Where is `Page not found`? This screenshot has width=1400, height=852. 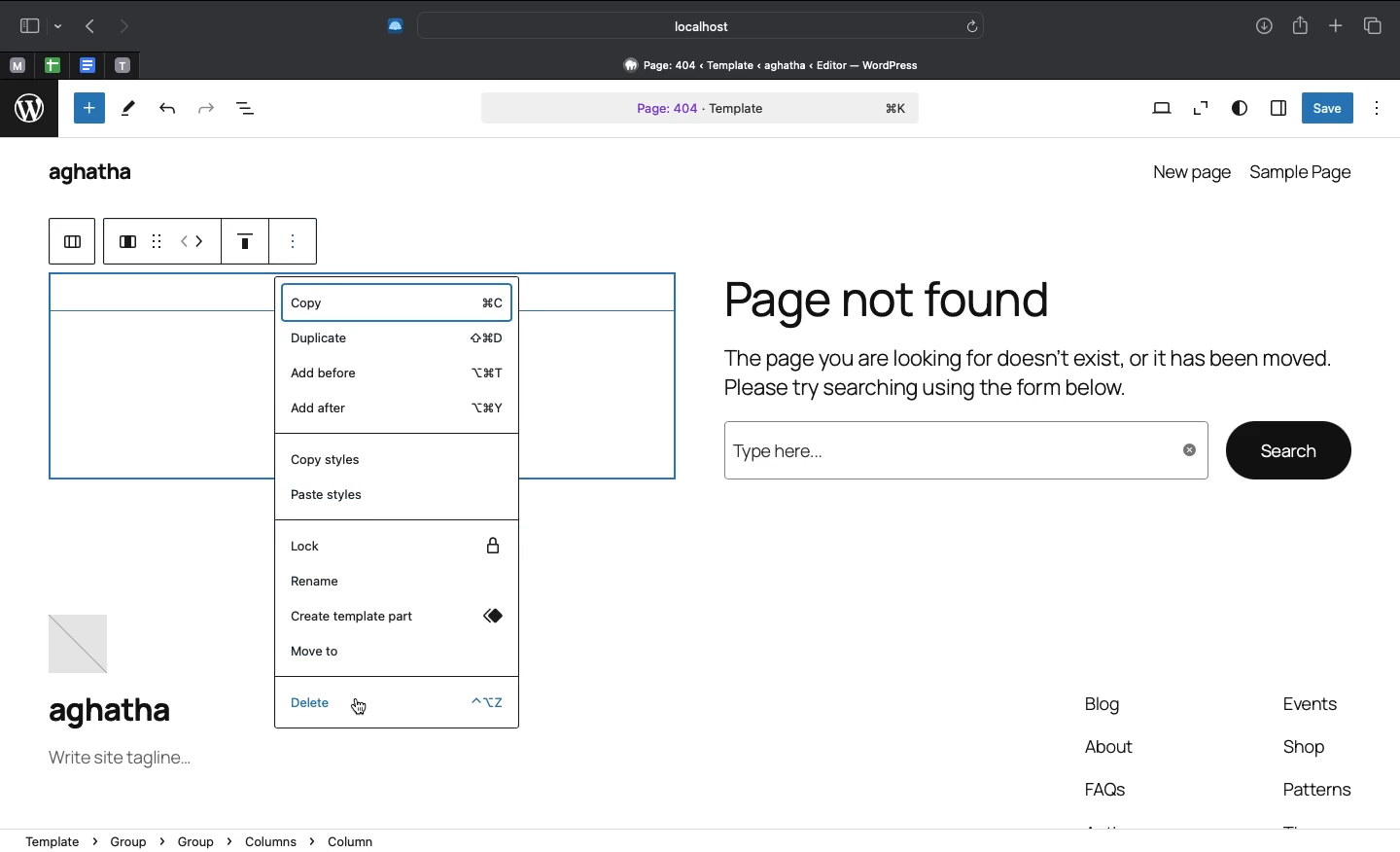
Page not found is located at coordinates (1032, 344).